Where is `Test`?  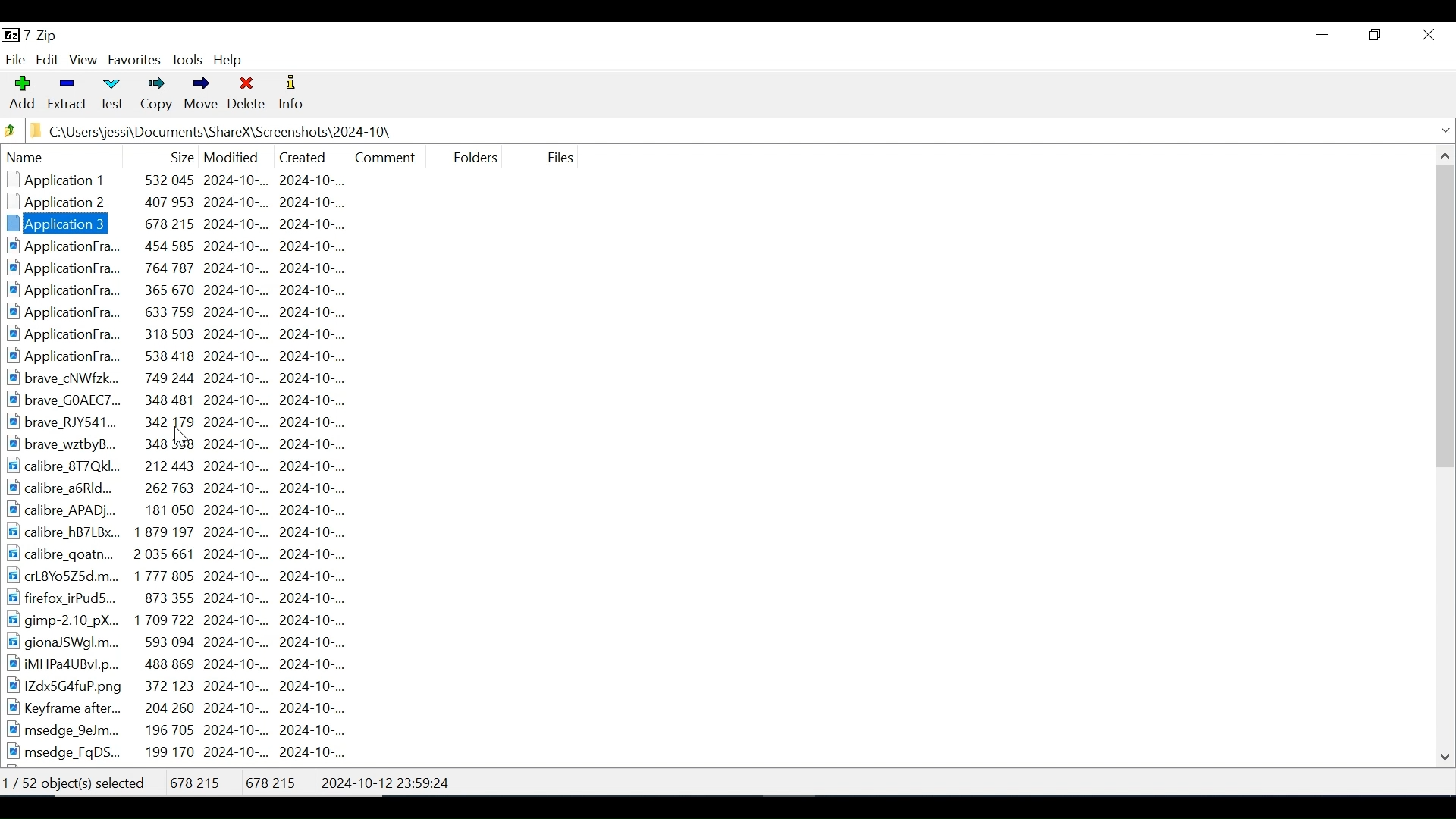
Test is located at coordinates (110, 96).